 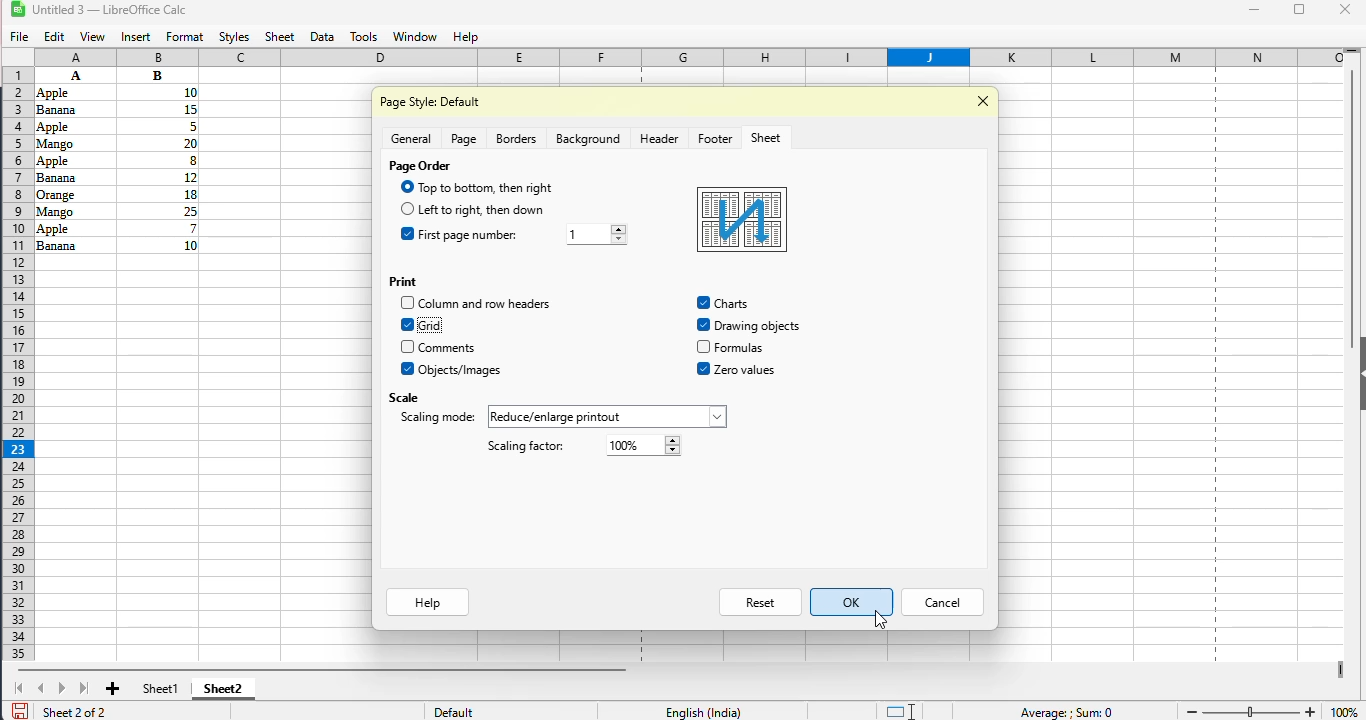 What do you see at coordinates (411, 138) in the screenshot?
I see `general` at bounding box center [411, 138].